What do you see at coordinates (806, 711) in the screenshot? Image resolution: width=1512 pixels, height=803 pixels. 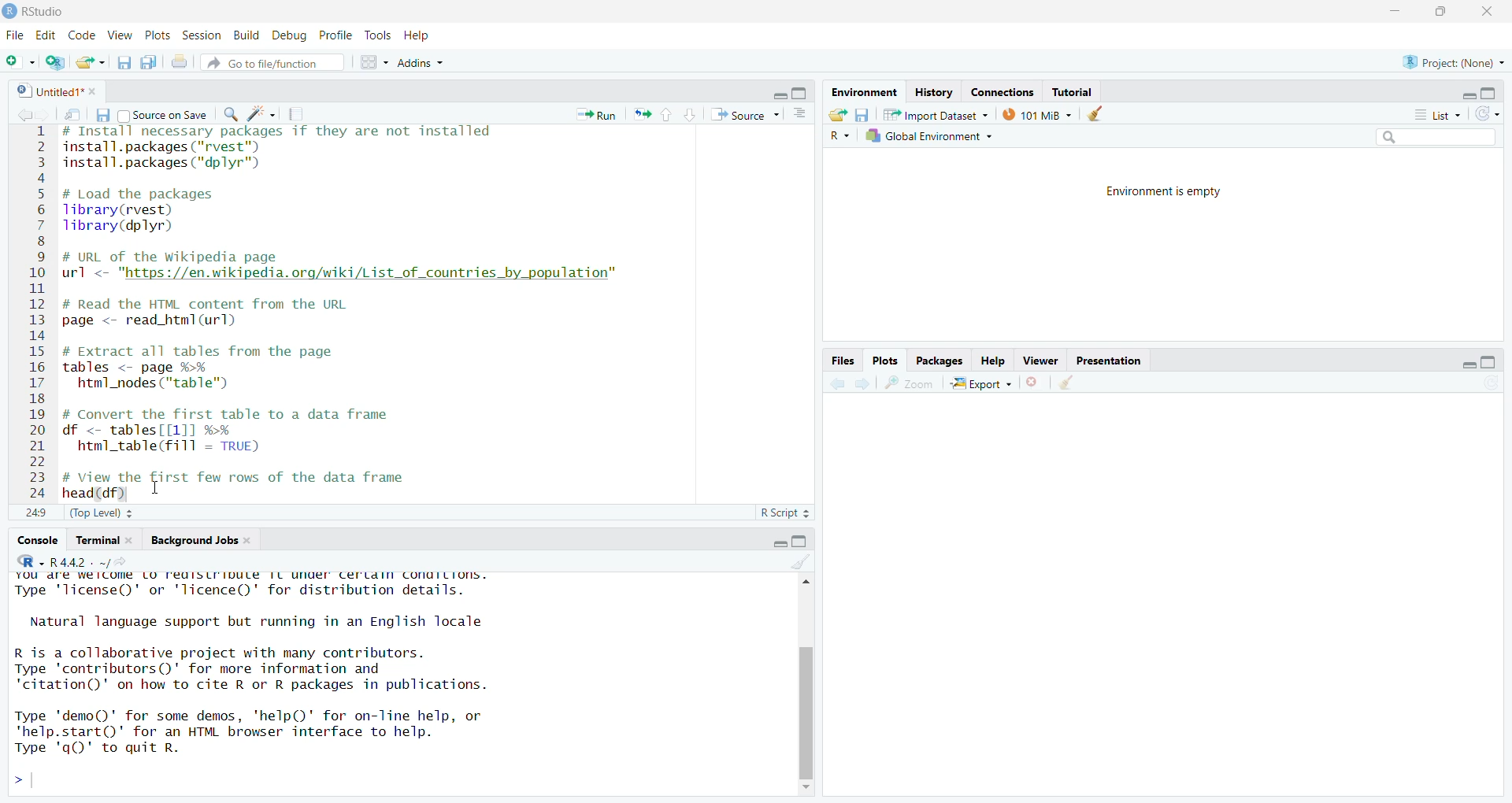 I see `scroll bar` at bounding box center [806, 711].